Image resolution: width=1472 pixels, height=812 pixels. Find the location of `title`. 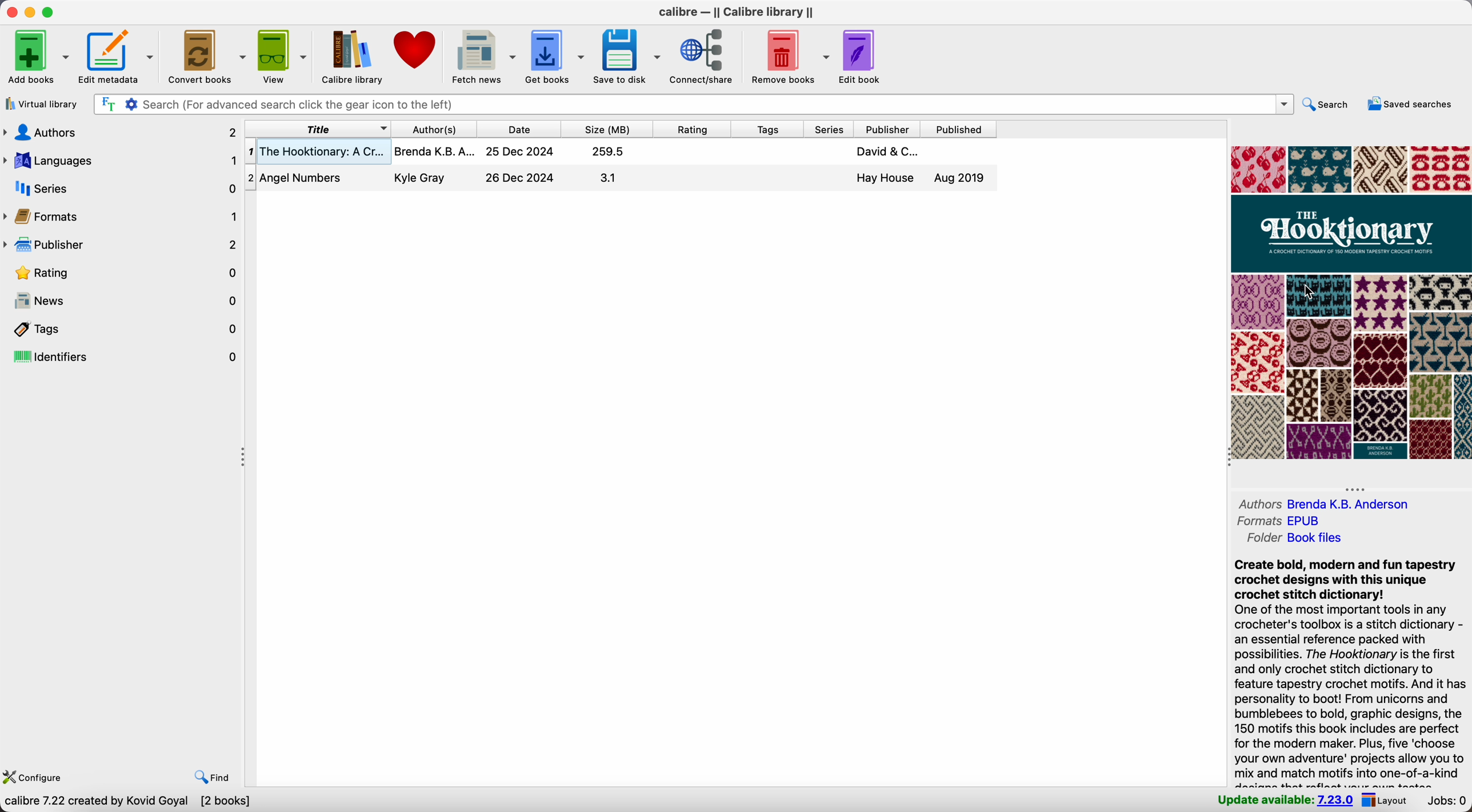

title is located at coordinates (318, 130).